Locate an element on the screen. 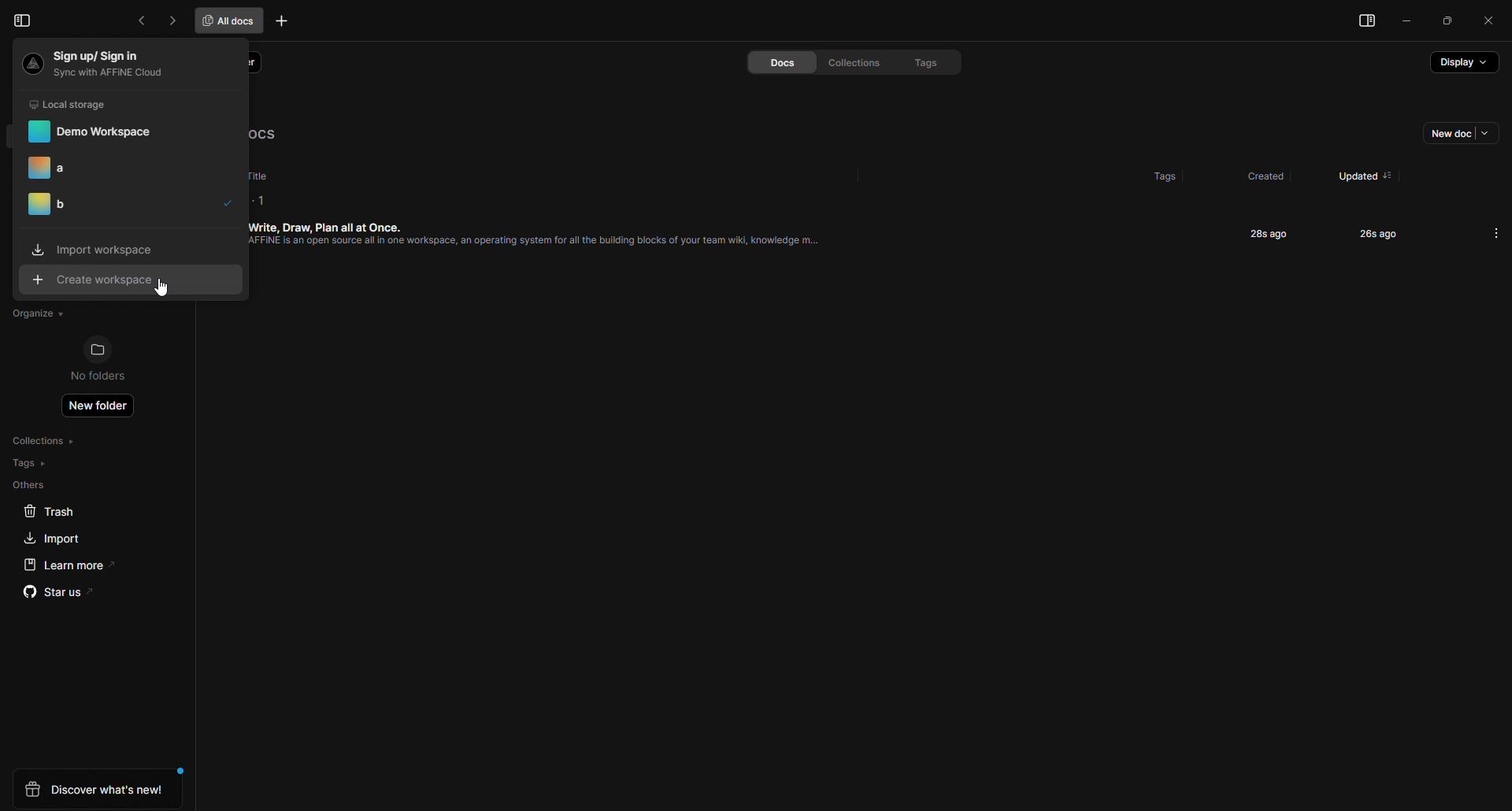 The height and width of the screenshot is (811, 1512). learn more is located at coordinates (64, 565).